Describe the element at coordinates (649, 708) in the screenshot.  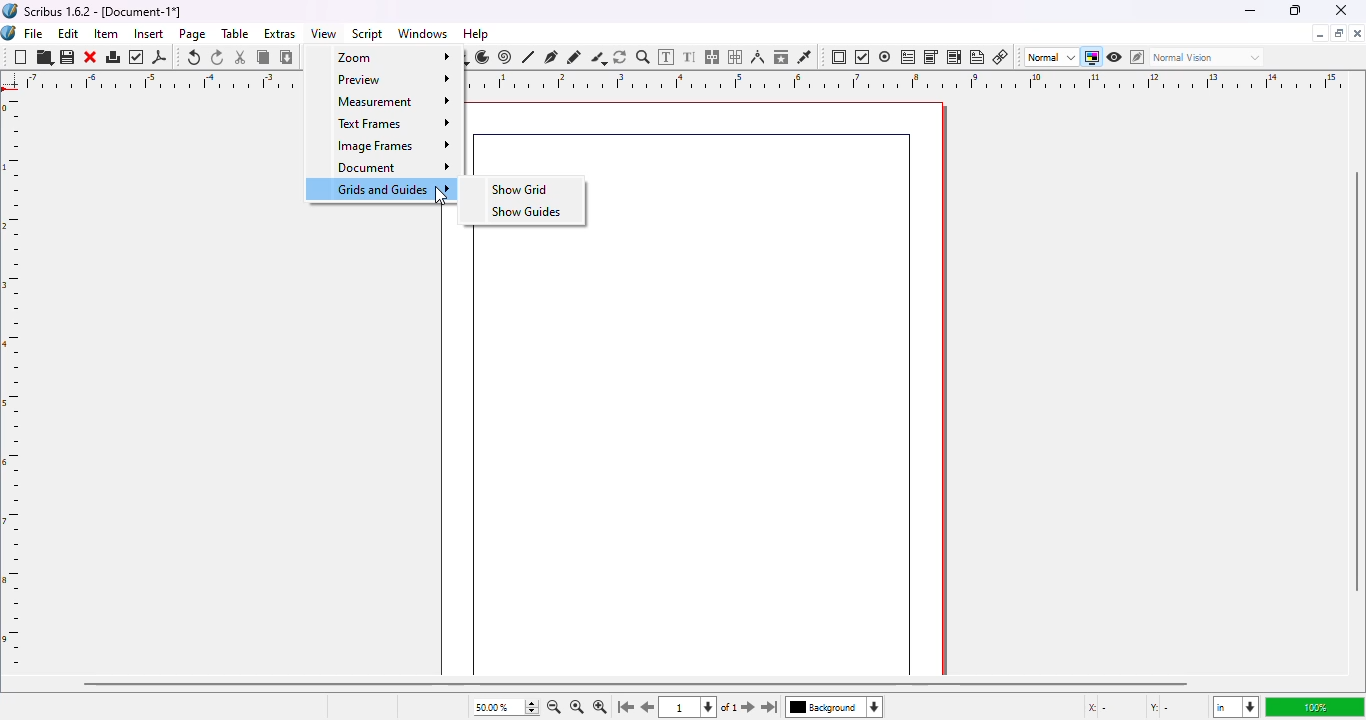
I see `go to the previous pagr` at that location.